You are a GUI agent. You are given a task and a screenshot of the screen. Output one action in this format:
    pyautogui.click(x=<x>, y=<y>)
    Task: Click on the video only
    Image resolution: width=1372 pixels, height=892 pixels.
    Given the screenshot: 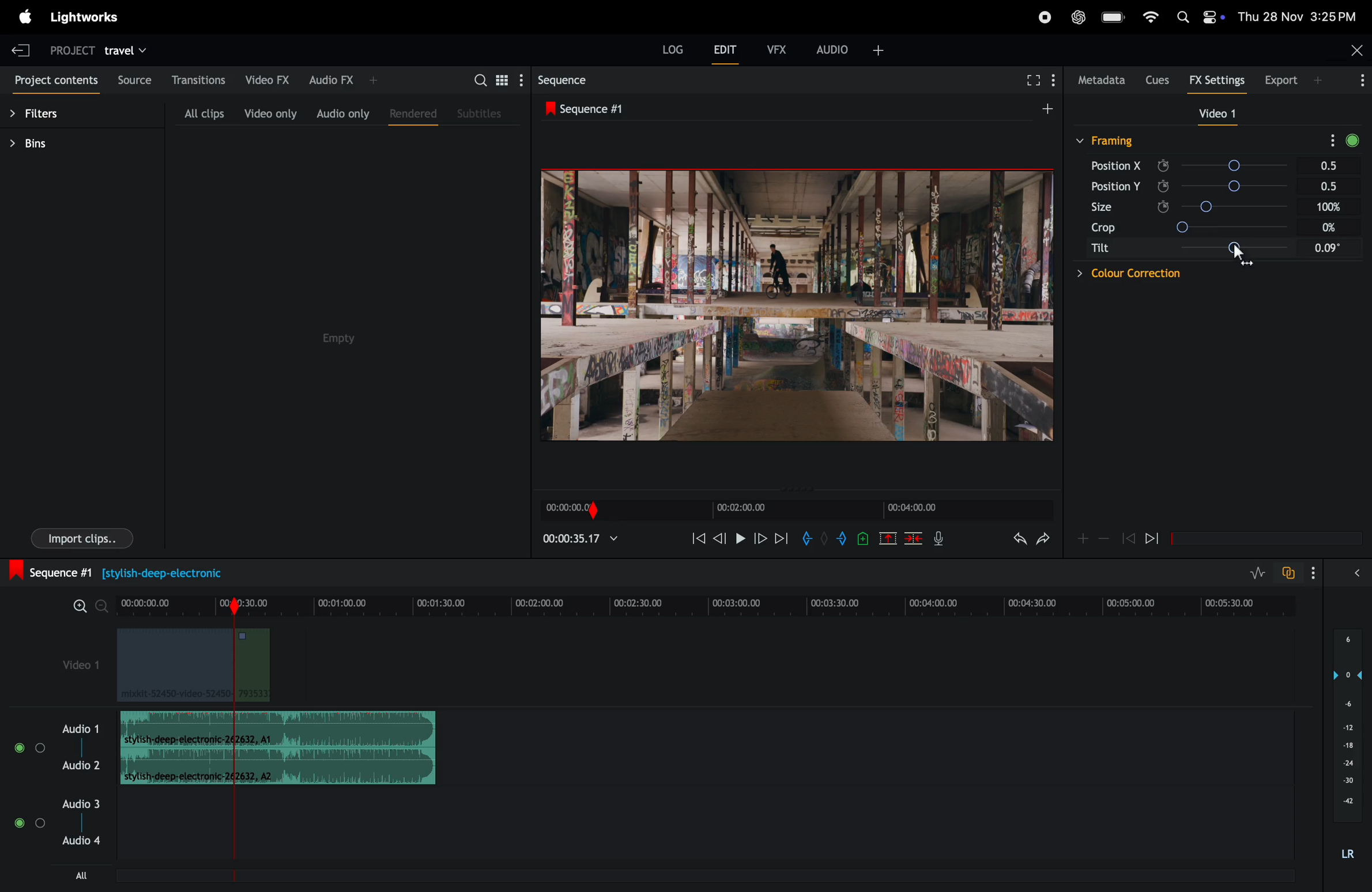 What is the action you would take?
    pyautogui.click(x=269, y=114)
    